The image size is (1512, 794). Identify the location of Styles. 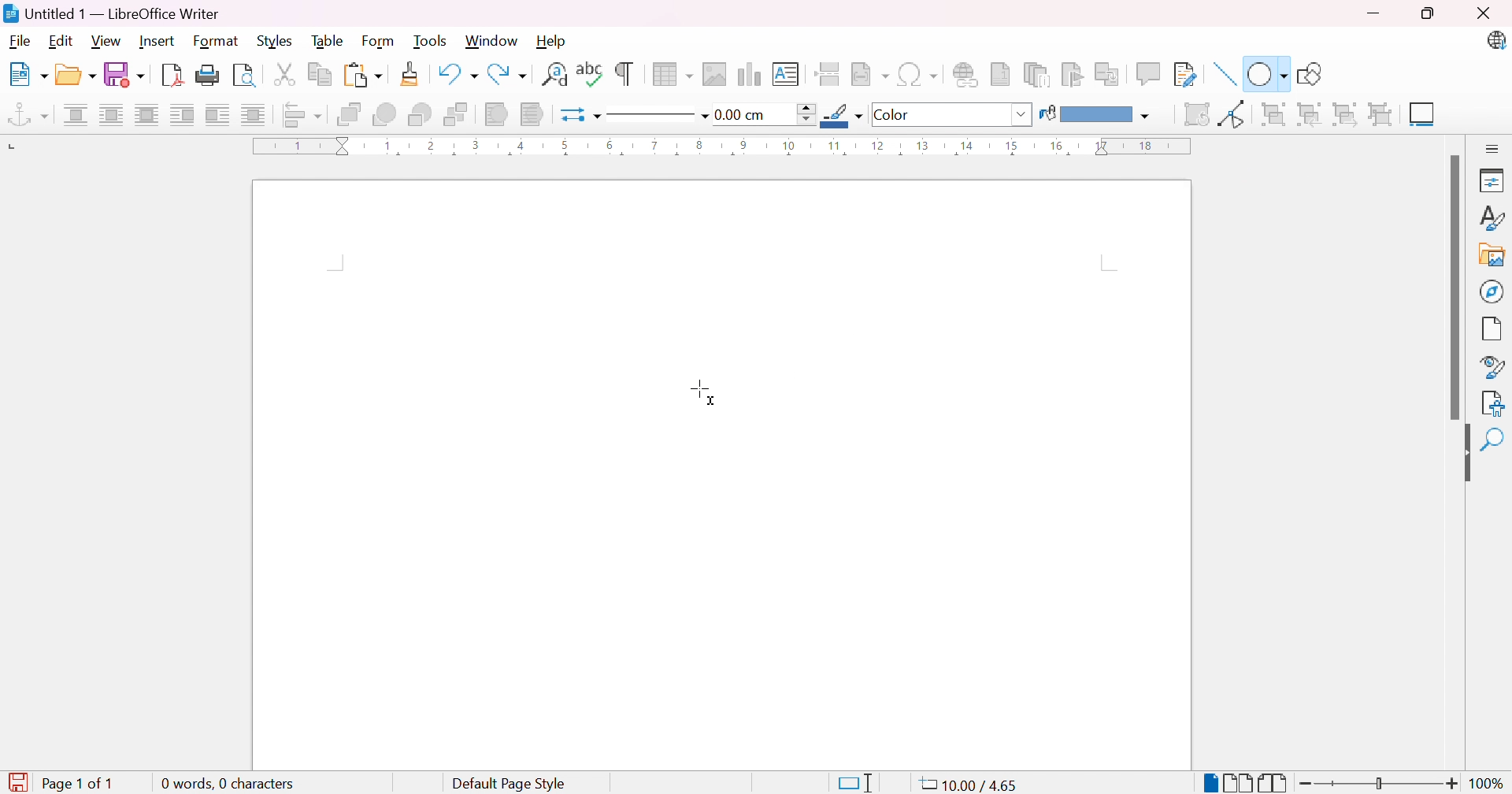
(1494, 219).